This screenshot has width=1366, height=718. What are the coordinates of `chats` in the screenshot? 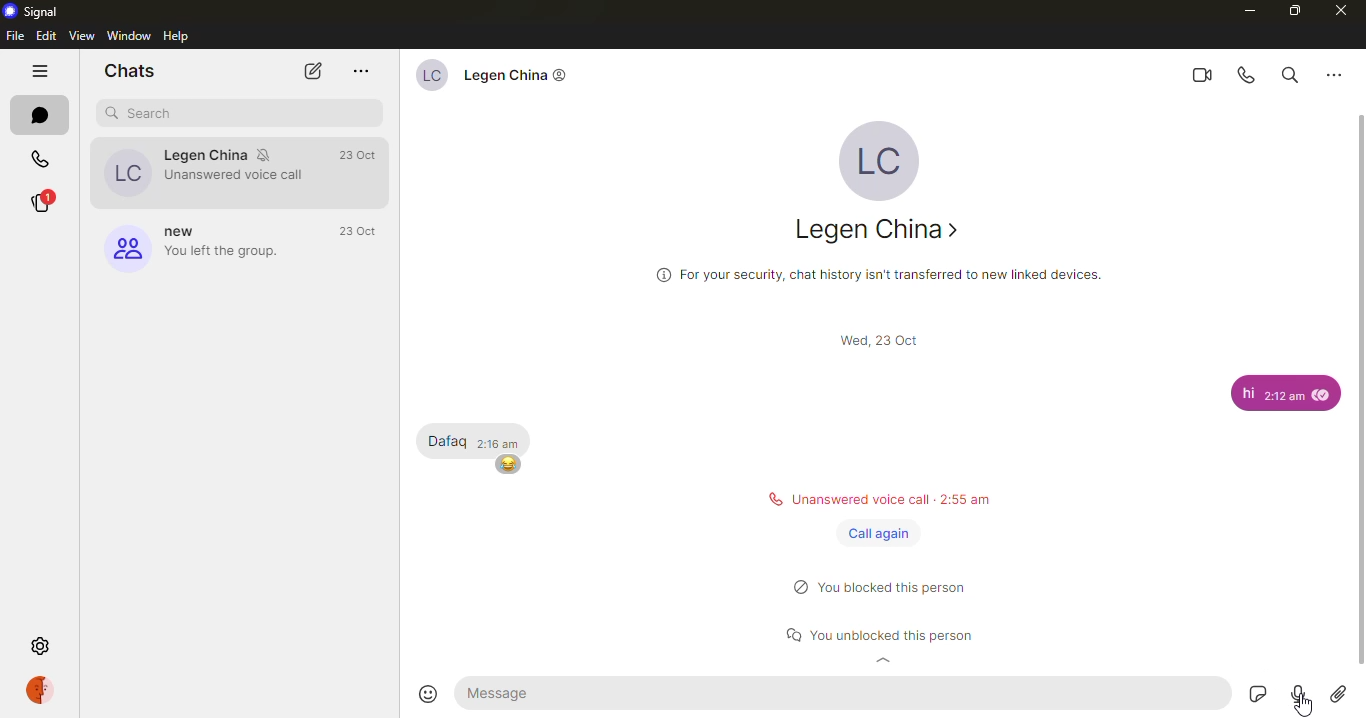 It's located at (129, 73).